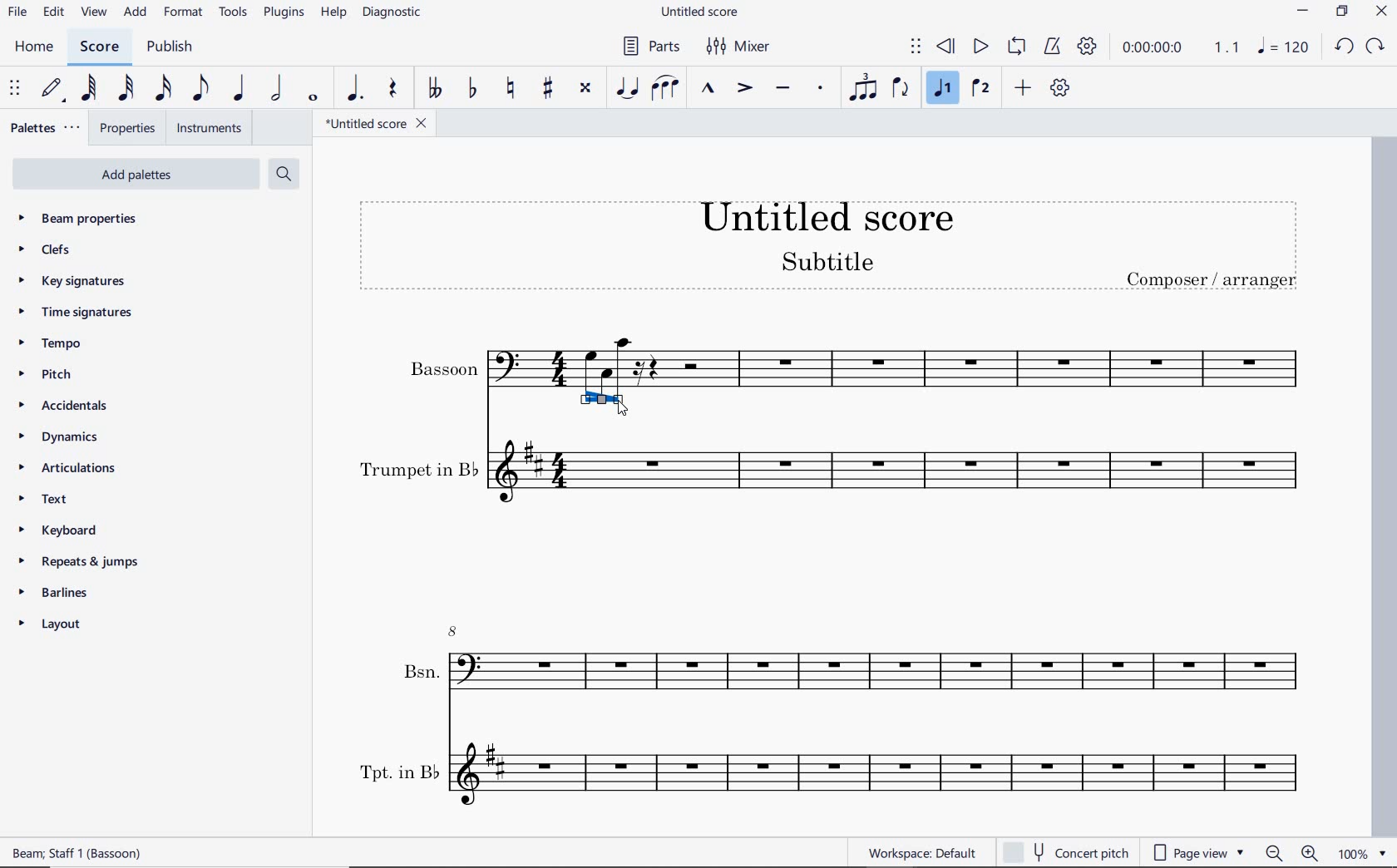  What do you see at coordinates (45, 249) in the screenshot?
I see `clefs` at bounding box center [45, 249].